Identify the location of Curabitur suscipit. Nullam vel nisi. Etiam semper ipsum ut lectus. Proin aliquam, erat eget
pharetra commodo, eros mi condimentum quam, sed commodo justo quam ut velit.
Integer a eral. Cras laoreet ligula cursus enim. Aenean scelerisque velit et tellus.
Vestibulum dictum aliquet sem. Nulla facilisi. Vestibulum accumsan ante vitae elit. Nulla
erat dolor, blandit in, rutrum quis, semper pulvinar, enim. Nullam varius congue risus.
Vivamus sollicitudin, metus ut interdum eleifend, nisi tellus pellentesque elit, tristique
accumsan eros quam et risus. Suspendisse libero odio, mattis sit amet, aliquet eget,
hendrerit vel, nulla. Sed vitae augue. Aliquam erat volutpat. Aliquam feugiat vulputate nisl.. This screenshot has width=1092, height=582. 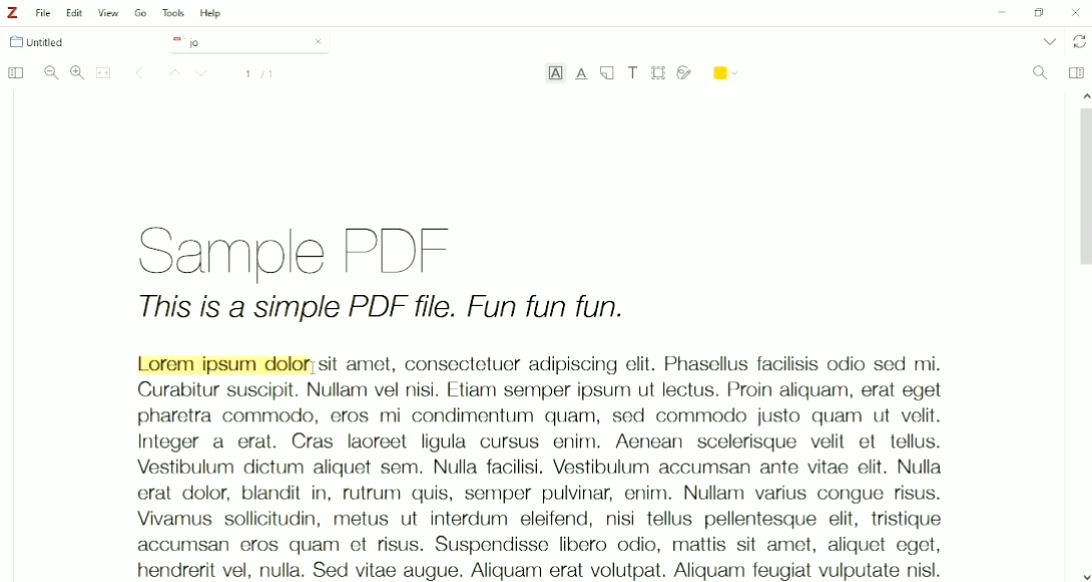
(538, 480).